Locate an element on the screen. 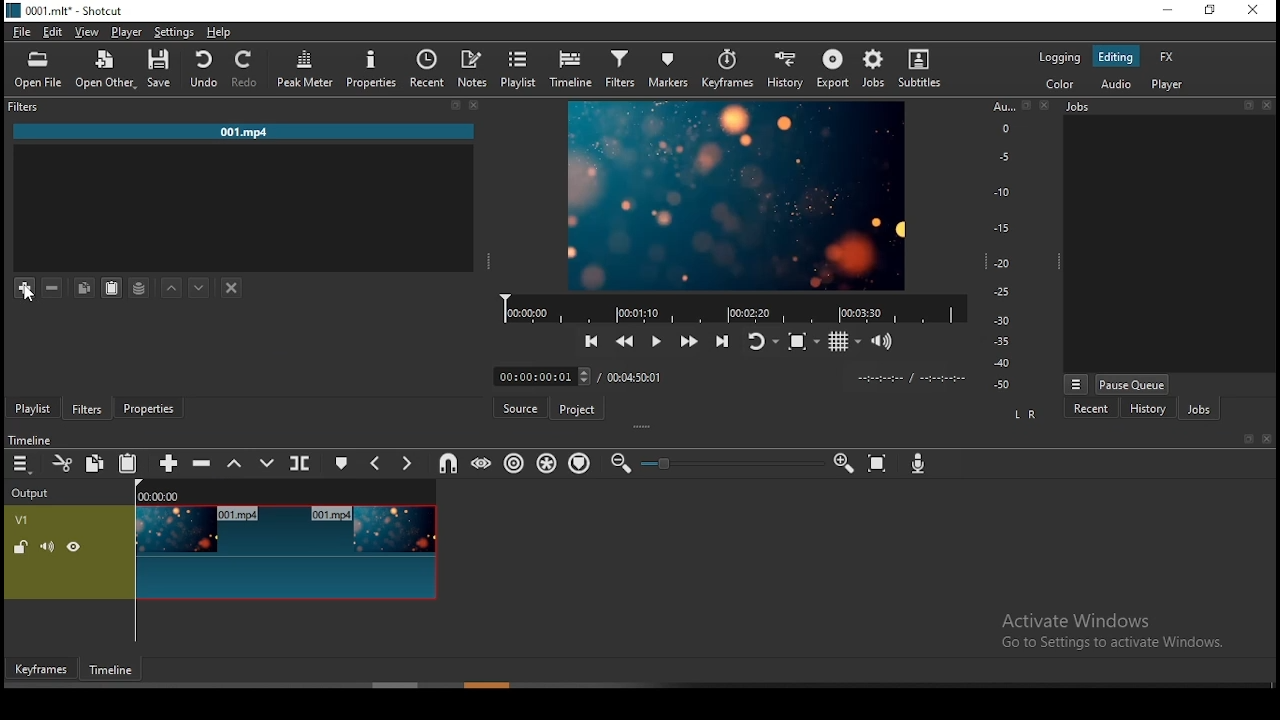  peak meter is located at coordinates (304, 70).